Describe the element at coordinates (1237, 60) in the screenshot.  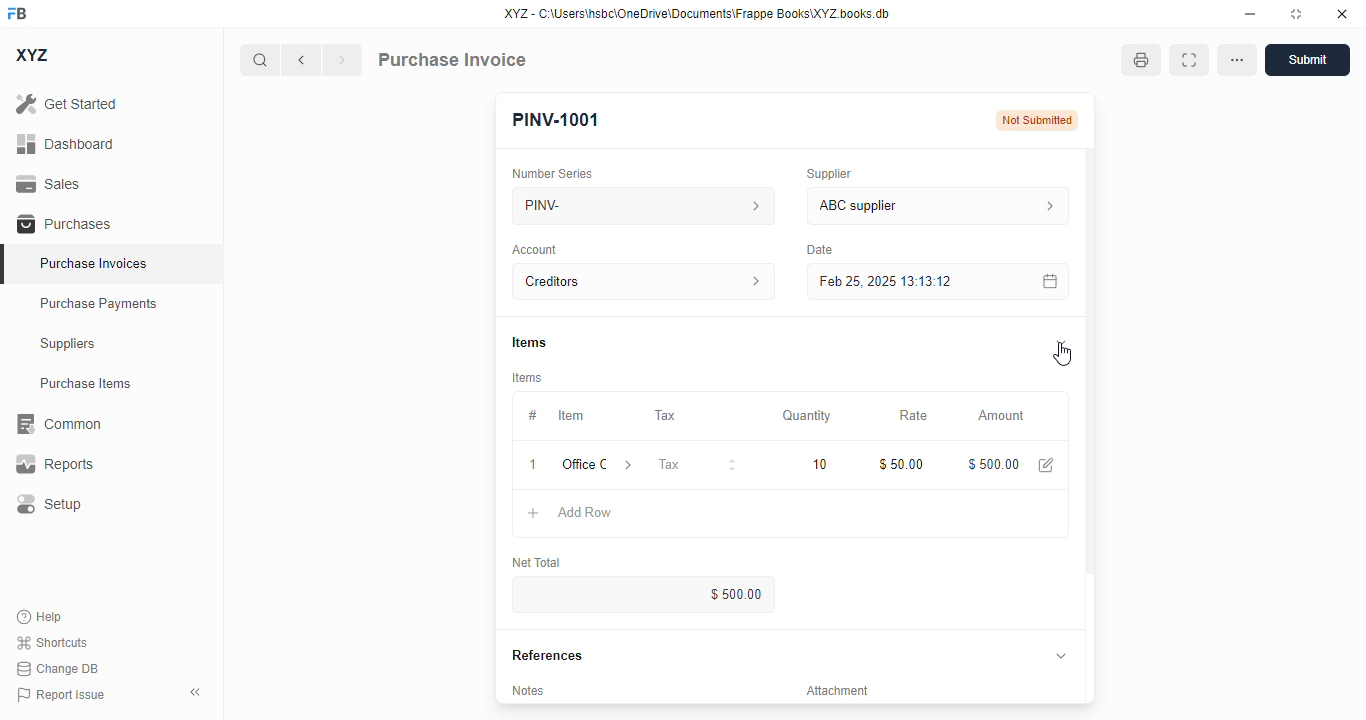
I see `option` at that location.